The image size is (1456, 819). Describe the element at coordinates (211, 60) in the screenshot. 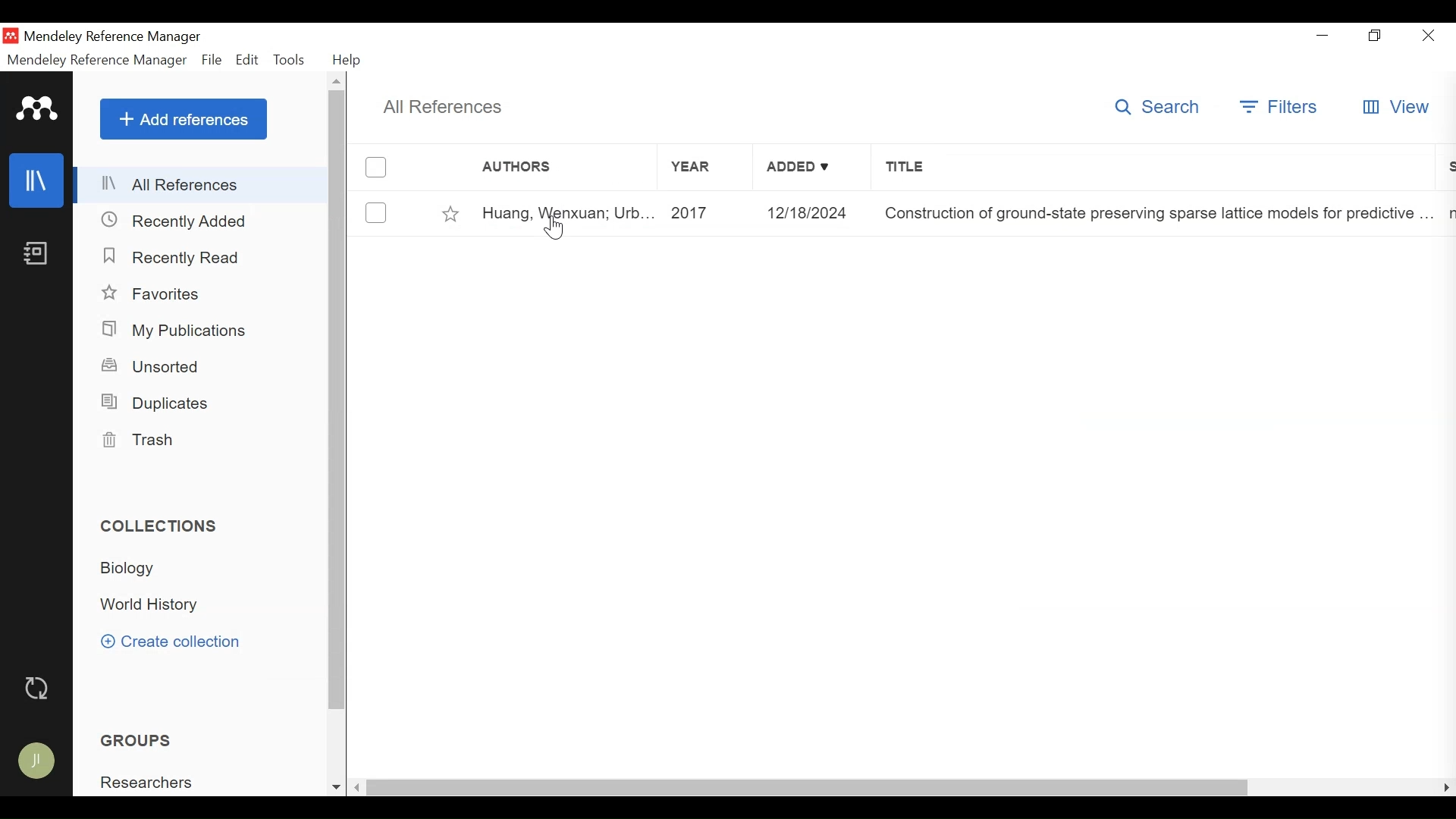

I see `File ` at that location.